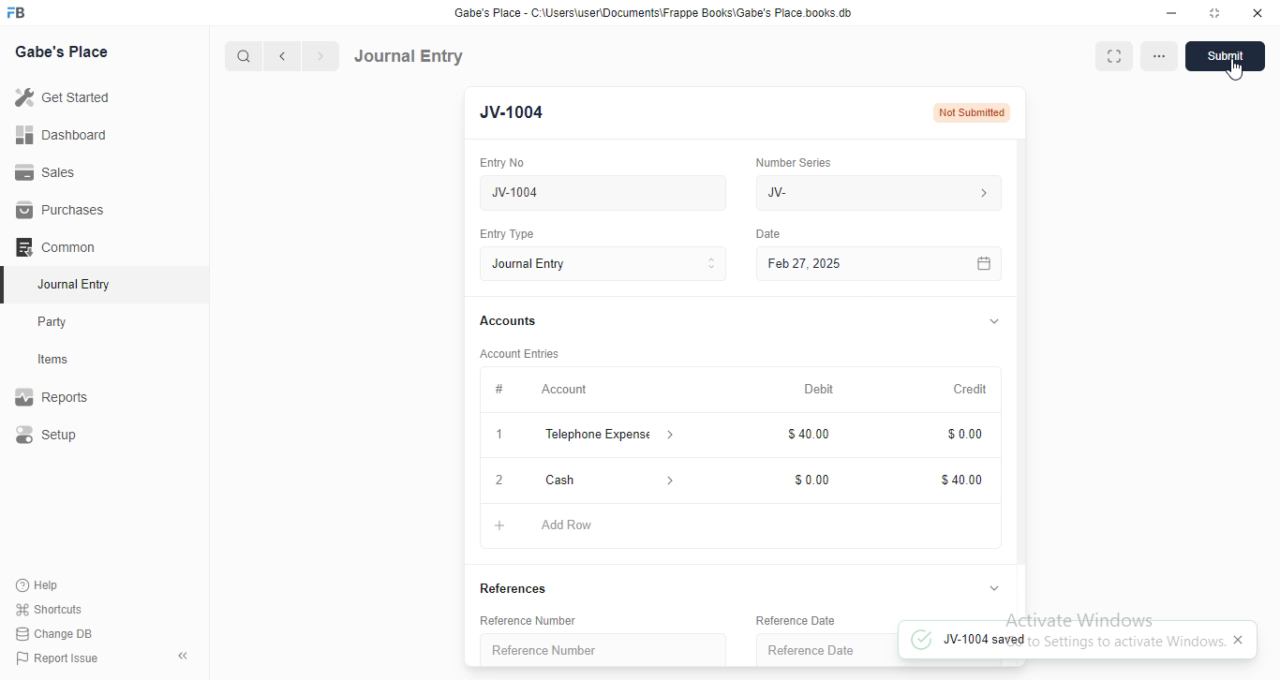 This screenshot has height=680, width=1280. What do you see at coordinates (499, 435) in the screenshot?
I see `1` at bounding box center [499, 435].